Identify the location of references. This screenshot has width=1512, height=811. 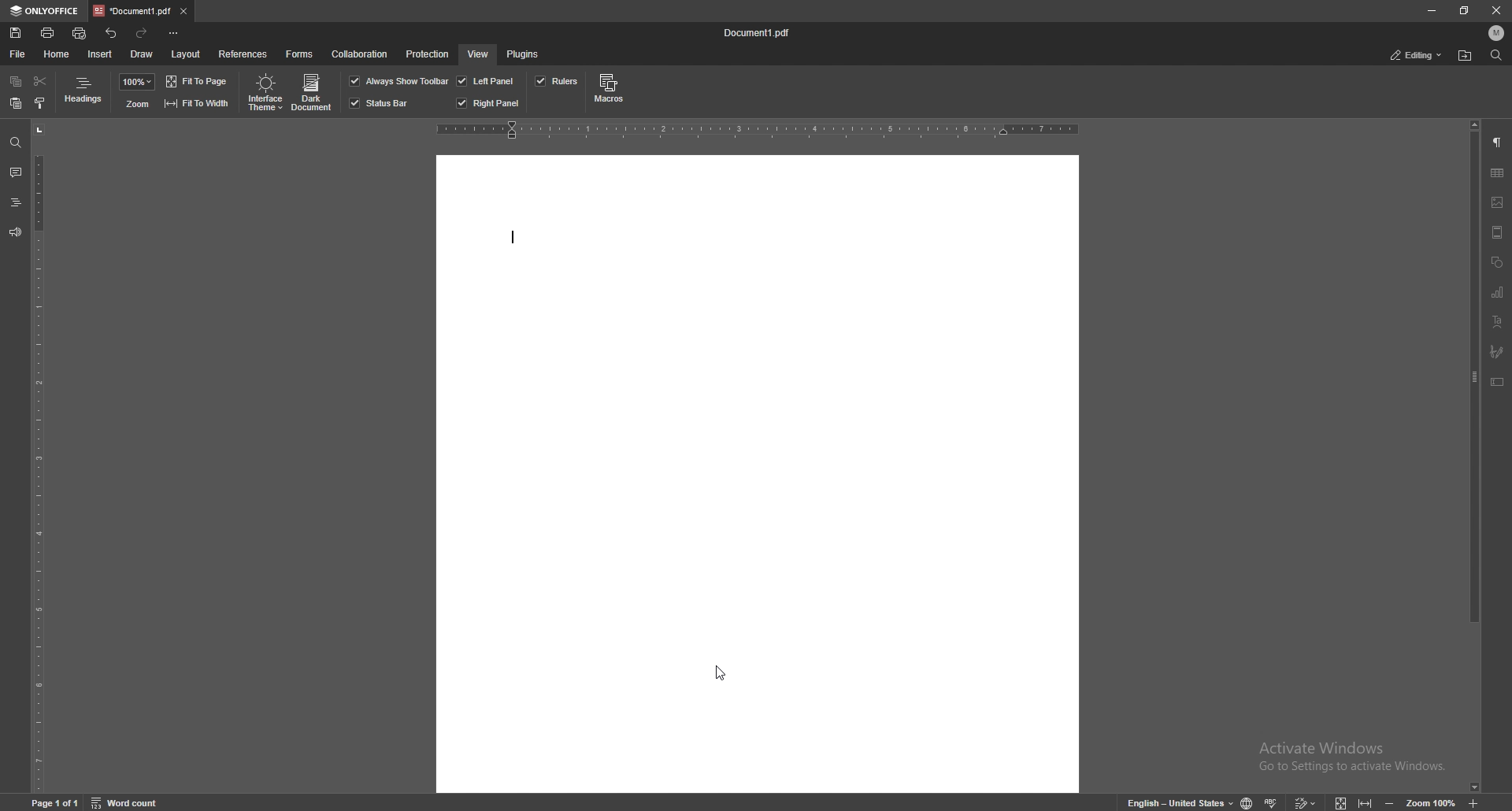
(243, 53).